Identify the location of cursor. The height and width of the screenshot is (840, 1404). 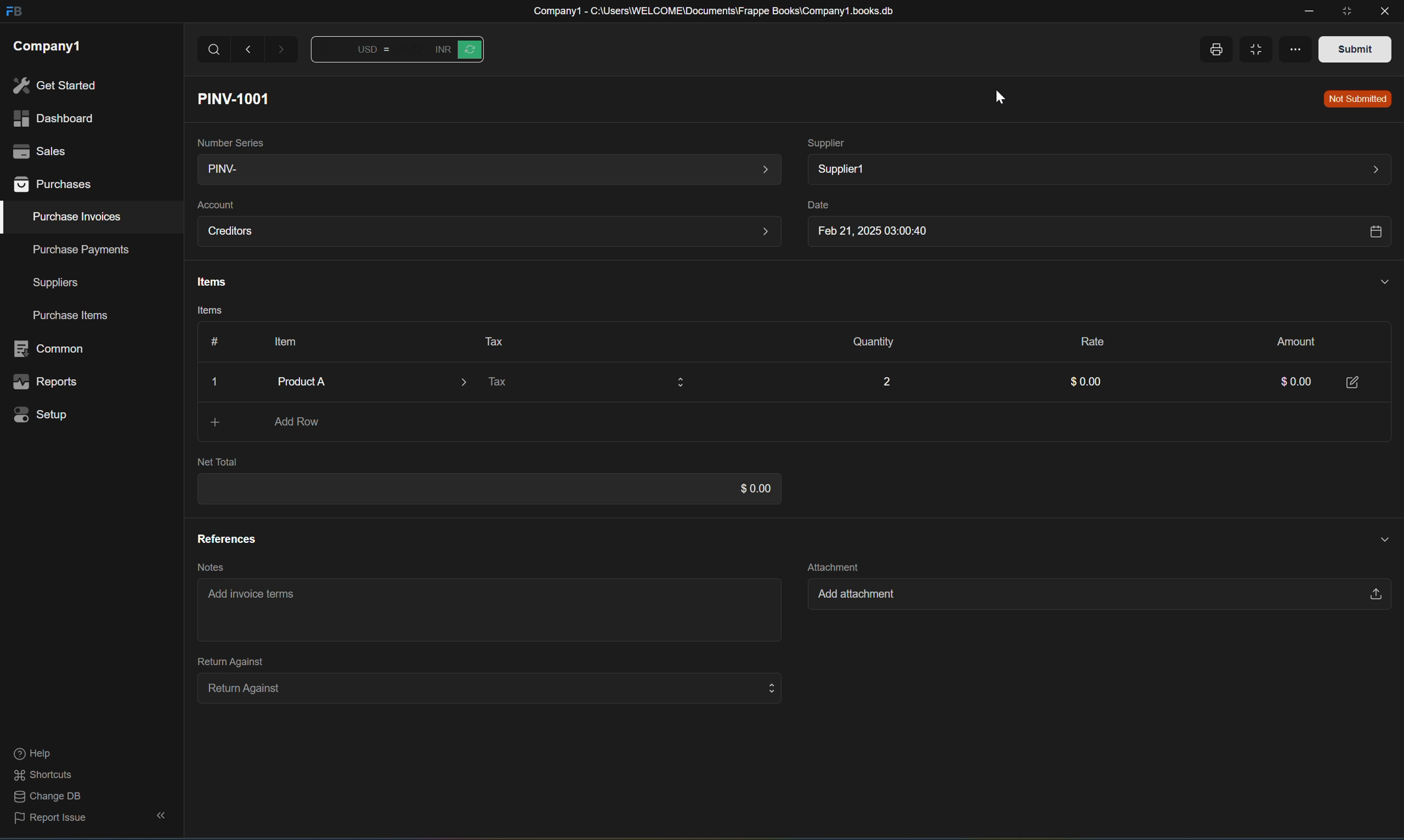
(1000, 96).